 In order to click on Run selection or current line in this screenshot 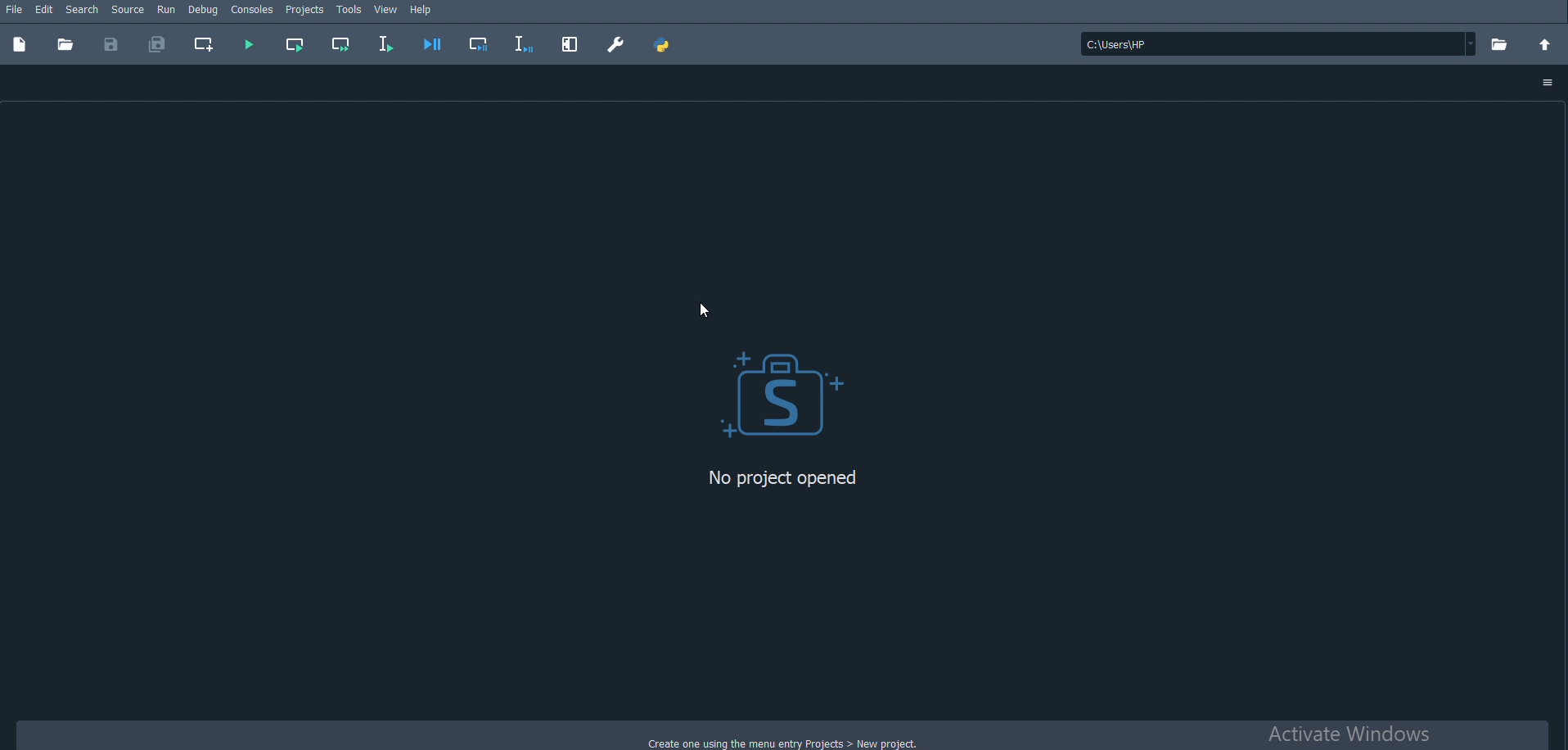, I will do `click(384, 46)`.